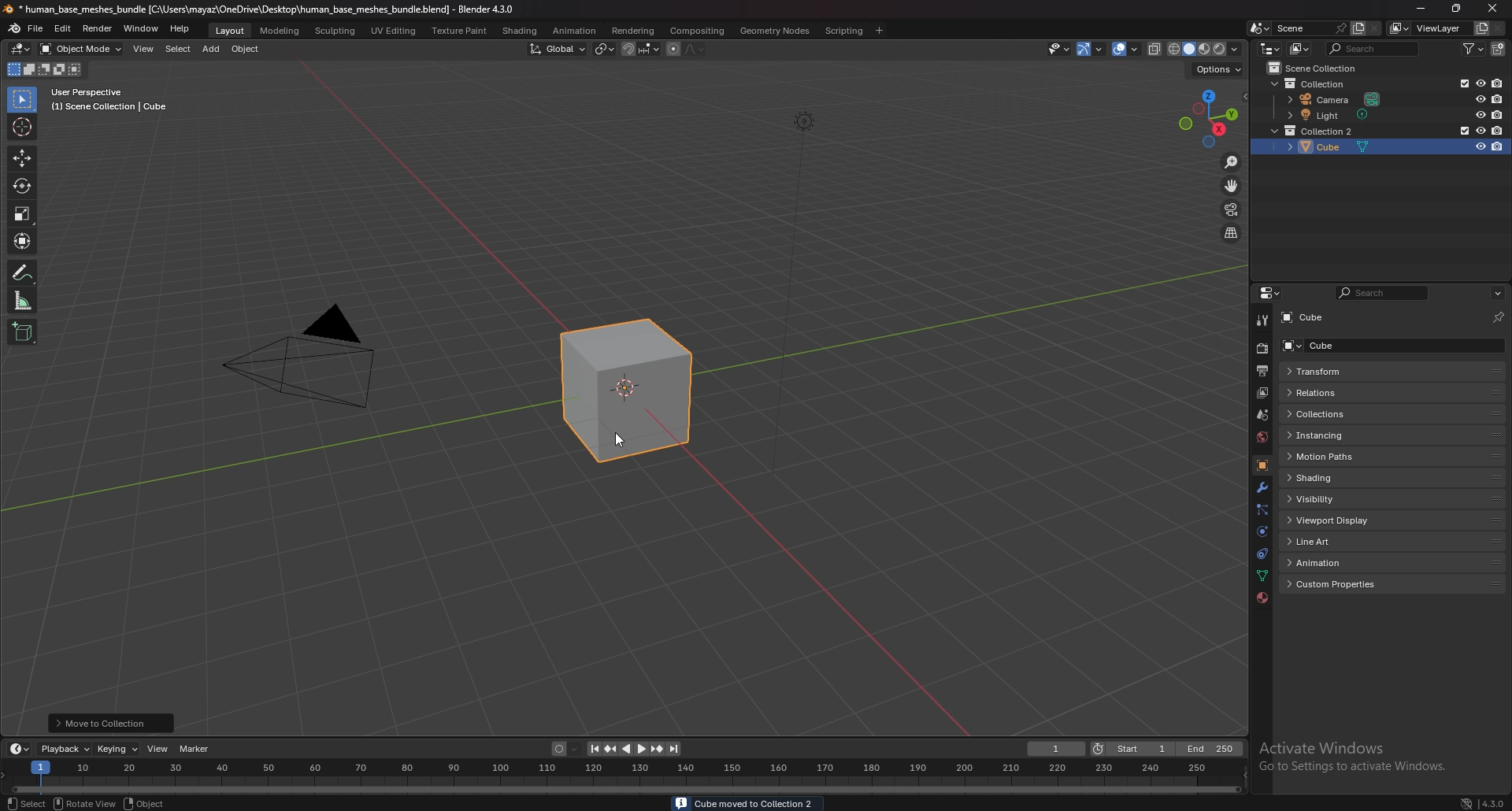  Describe the element at coordinates (178, 49) in the screenshot. I see `select` at that location.